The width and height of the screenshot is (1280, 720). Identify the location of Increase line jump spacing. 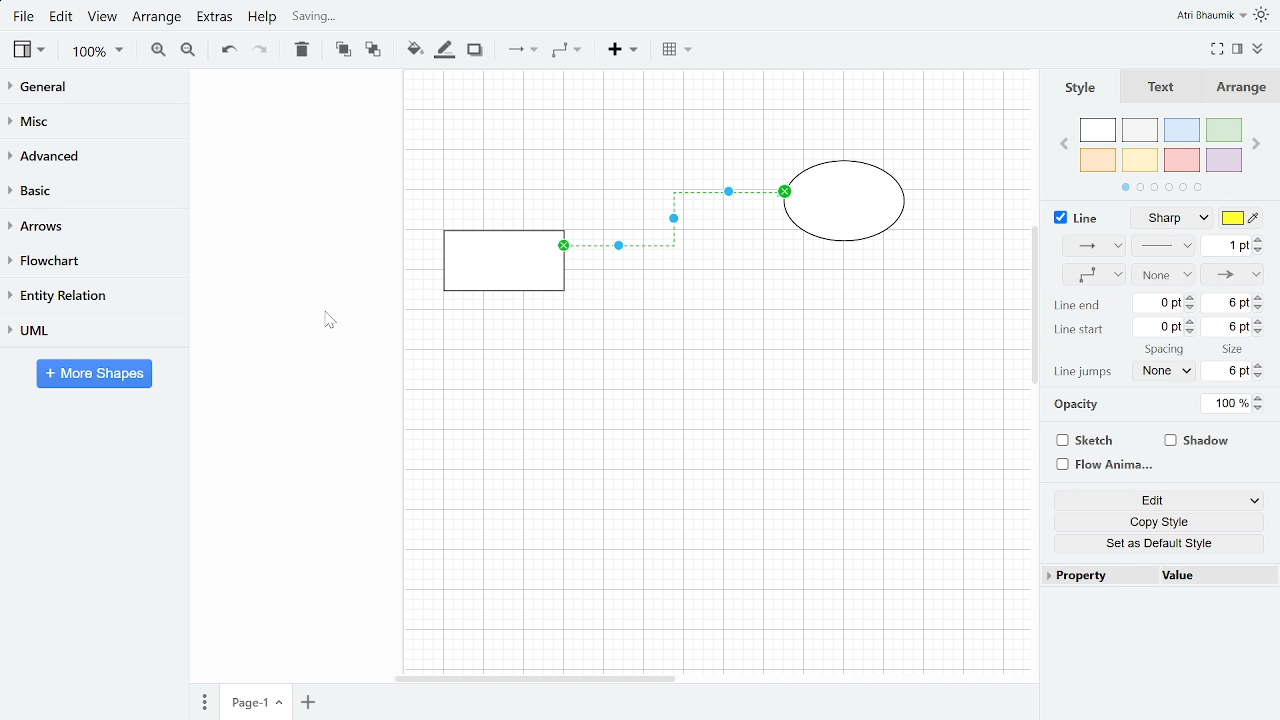
(1260, 365).